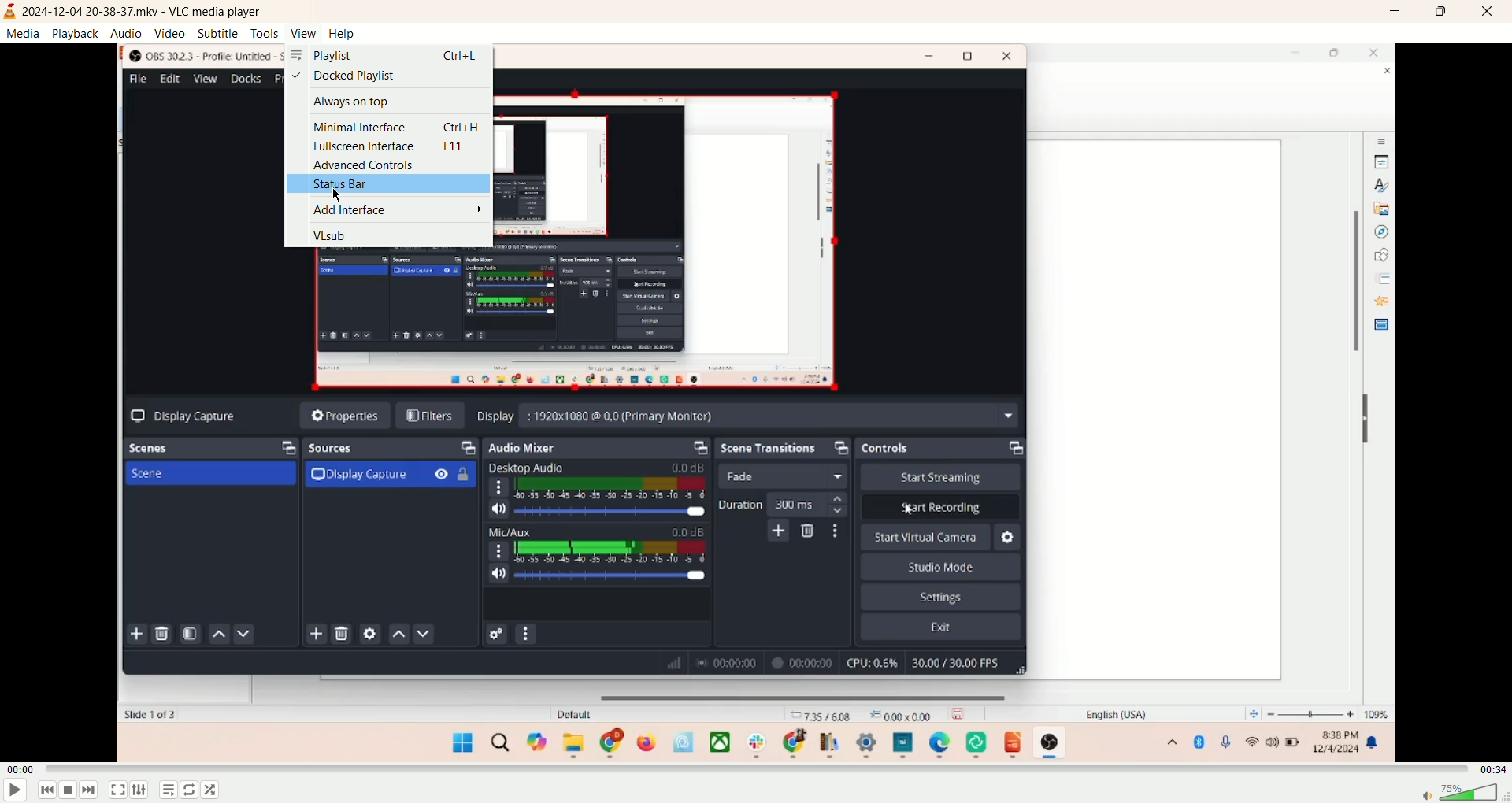 The width and height of the screenshot is (1512, 803). I want to click on total time, so click(1494, 766).